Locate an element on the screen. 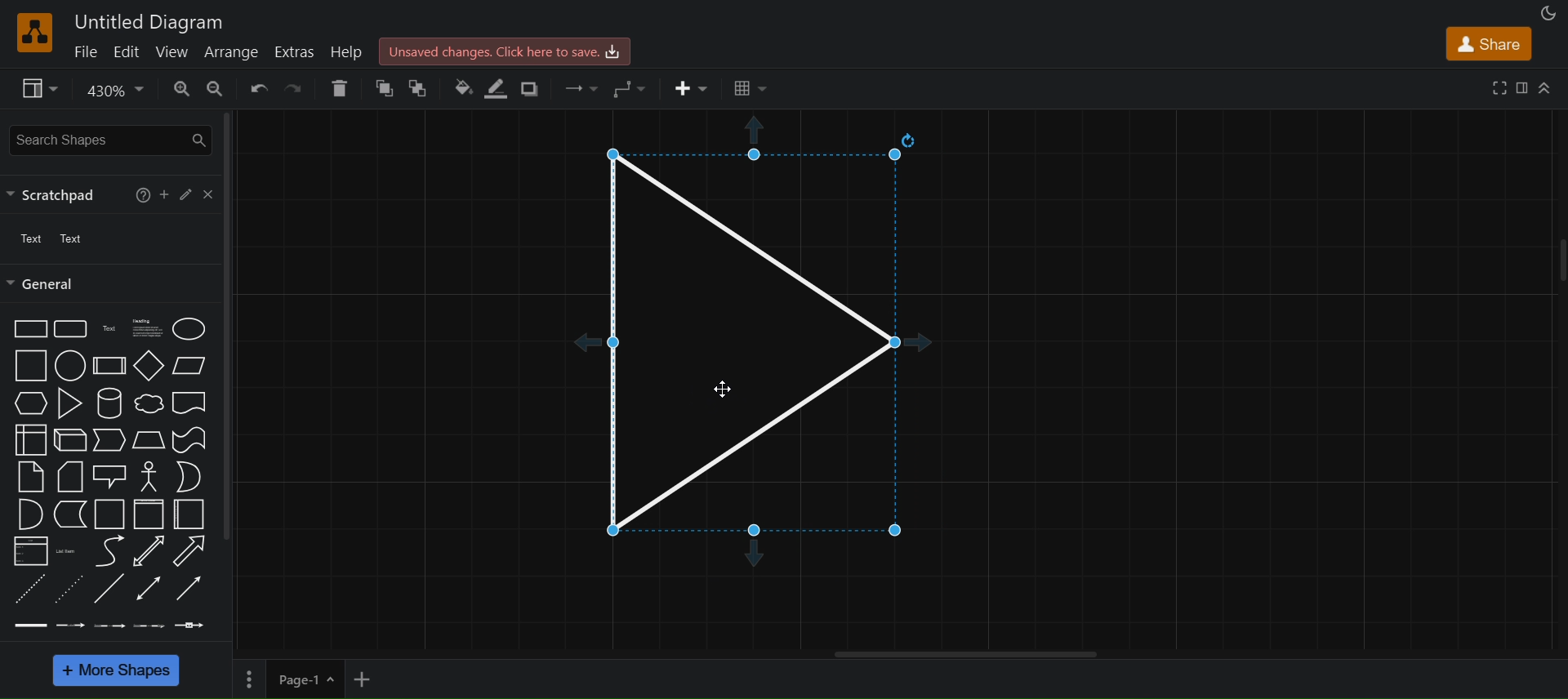 The width and height of the screenshot is (1568, 699). text  is located at coordinates (56, 239).